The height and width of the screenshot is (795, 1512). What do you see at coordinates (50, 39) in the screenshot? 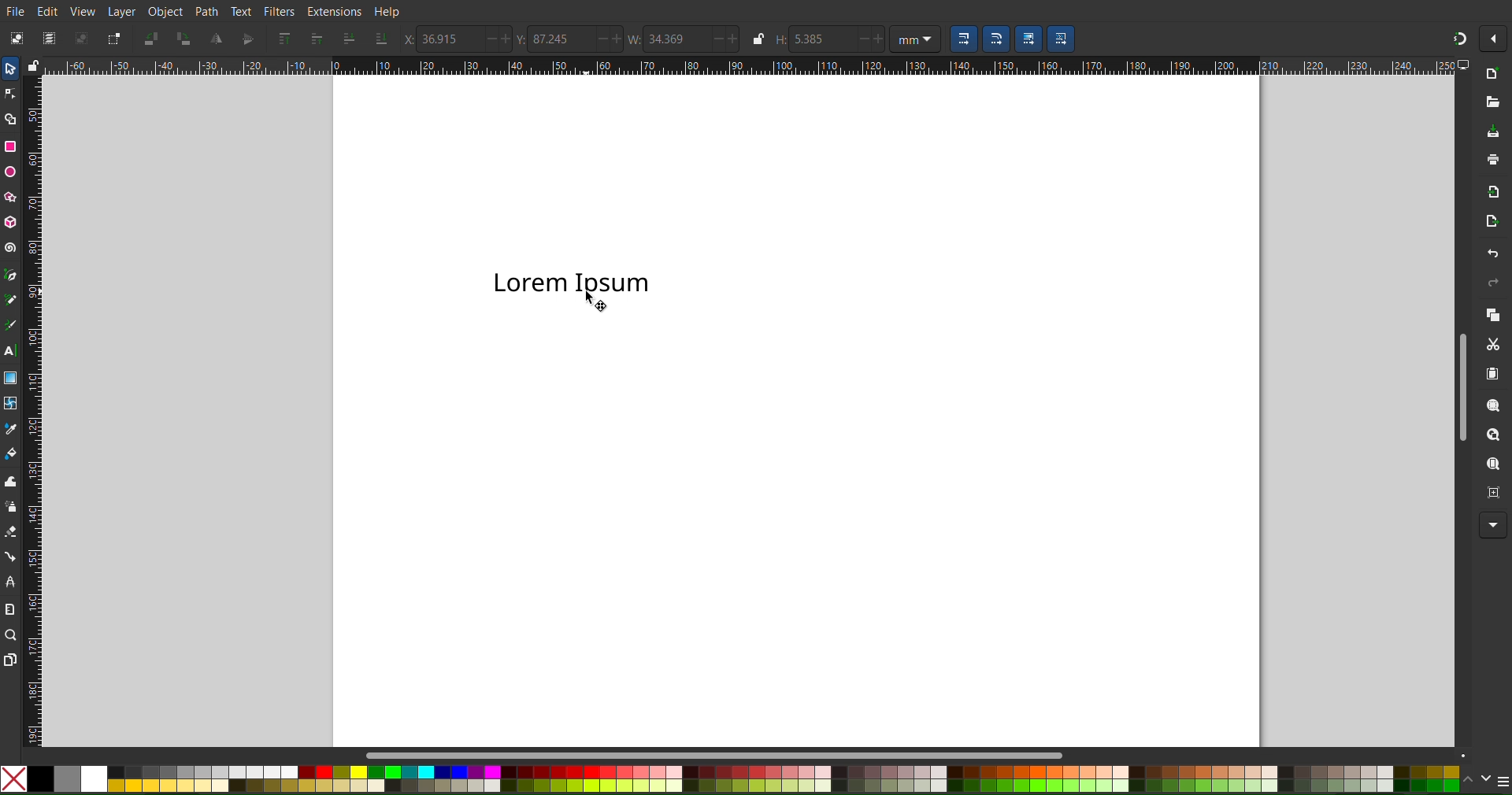
I see `Select All` at bounding box center [50, 39].